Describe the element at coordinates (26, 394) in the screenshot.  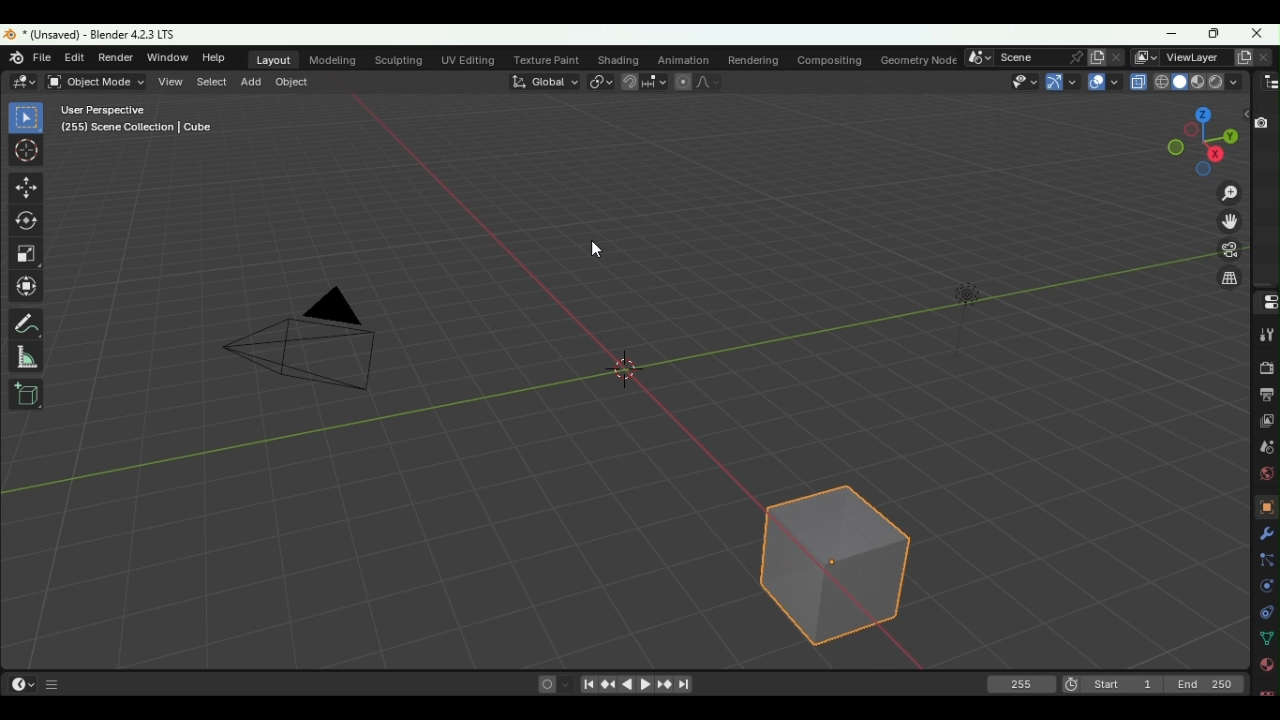
I see `Add cube` at that location.